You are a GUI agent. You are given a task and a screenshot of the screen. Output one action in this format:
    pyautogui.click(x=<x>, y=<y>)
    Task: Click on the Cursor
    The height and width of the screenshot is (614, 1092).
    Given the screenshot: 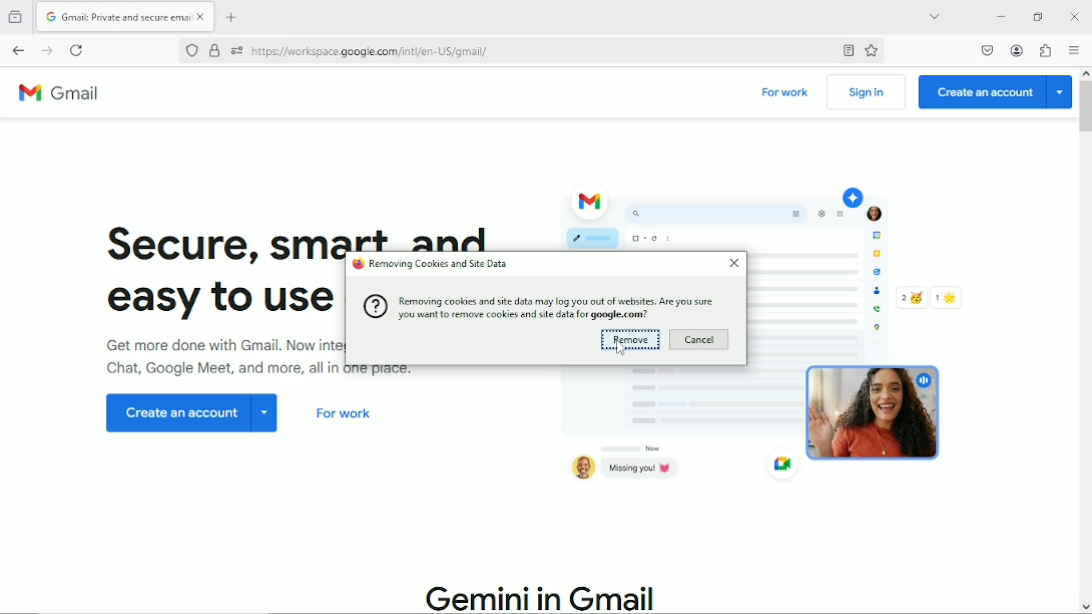 What is the action you would take?
    pyautogui.click(x=621, y=354)
    